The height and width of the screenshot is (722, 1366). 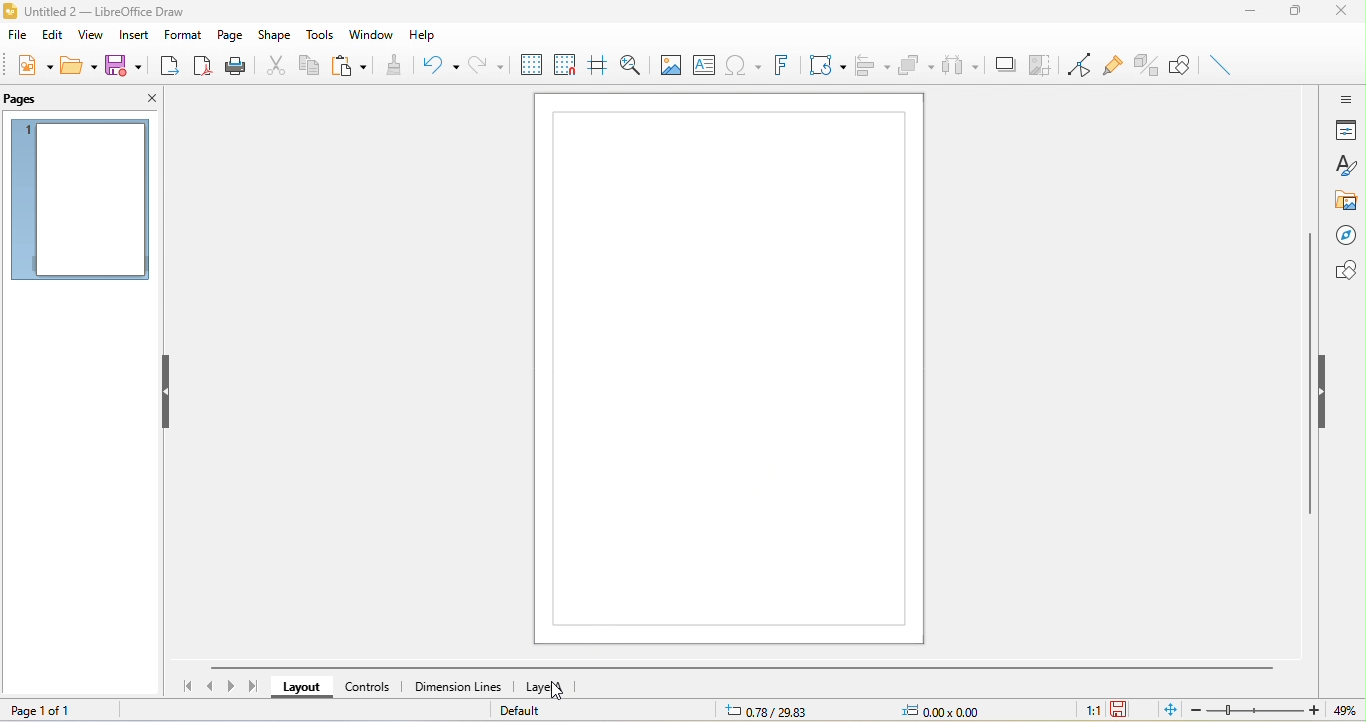 I want to click on fontwork text, so click(x=776, y=65).